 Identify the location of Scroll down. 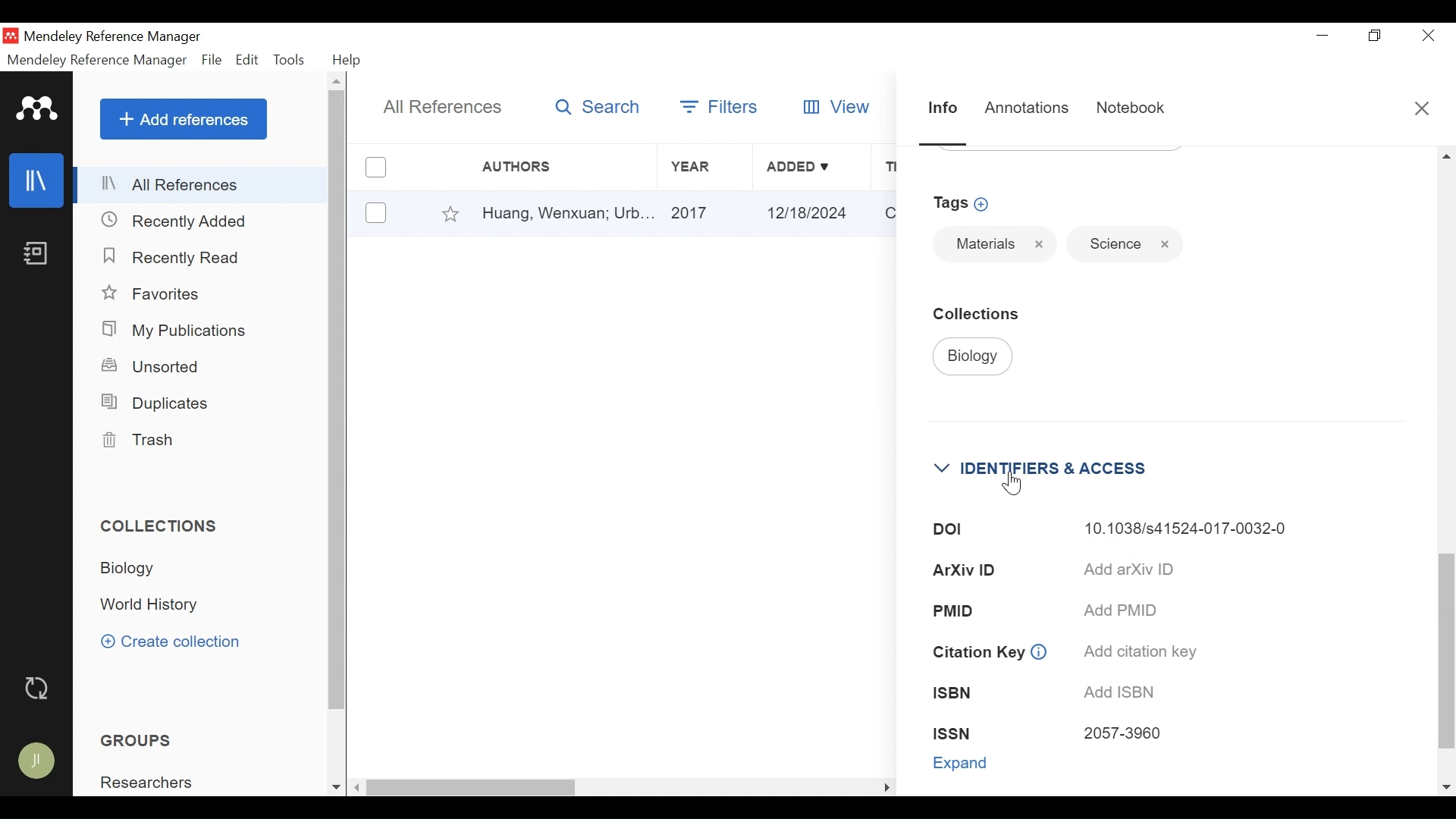
(1446, 787).